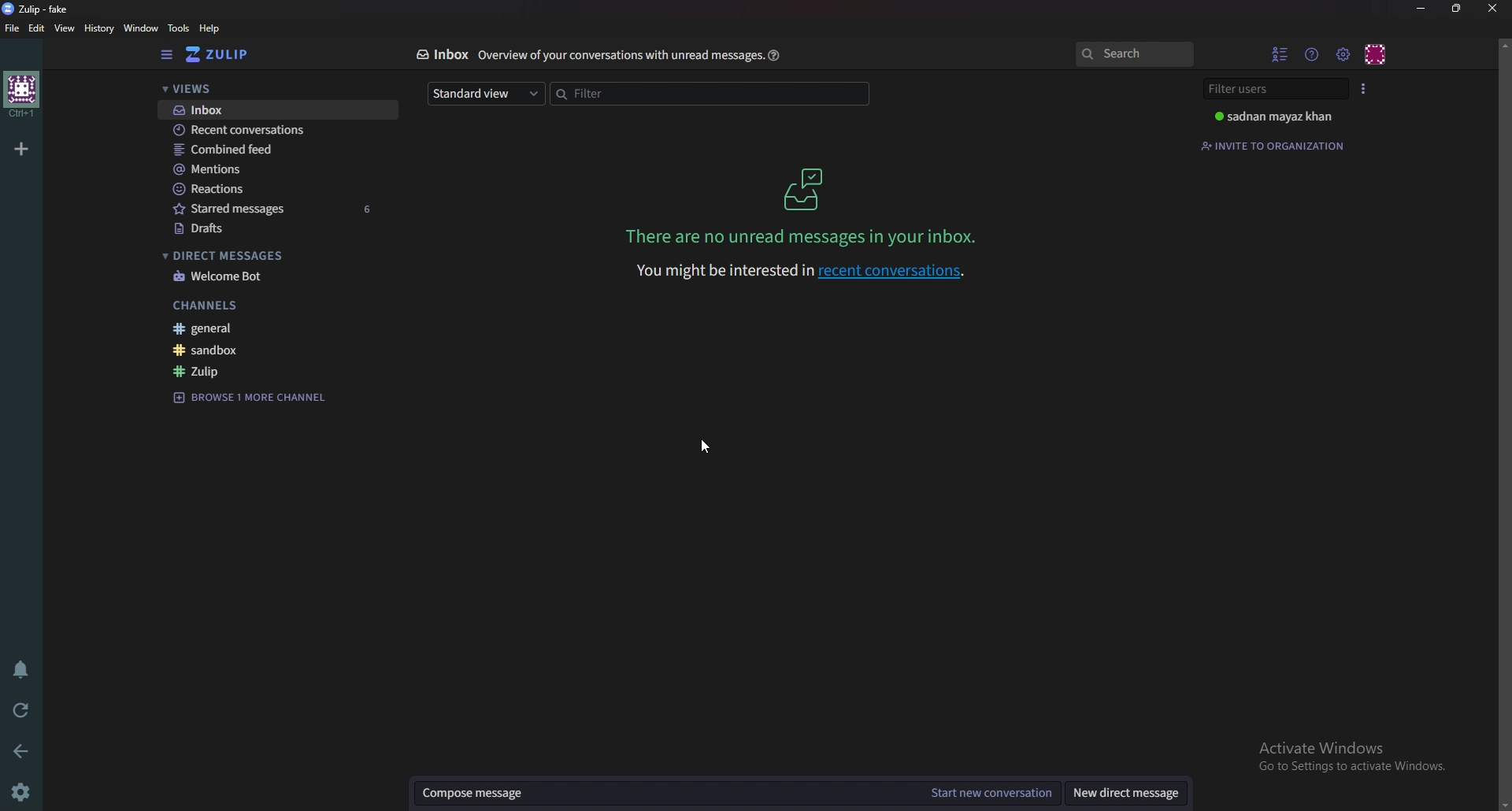 Image resolution: width=1512 pixels, height=811 pixels. Describe the element at coordinates (257, 397) in the screenshot. I see `Browse 1 more channel` at that location.